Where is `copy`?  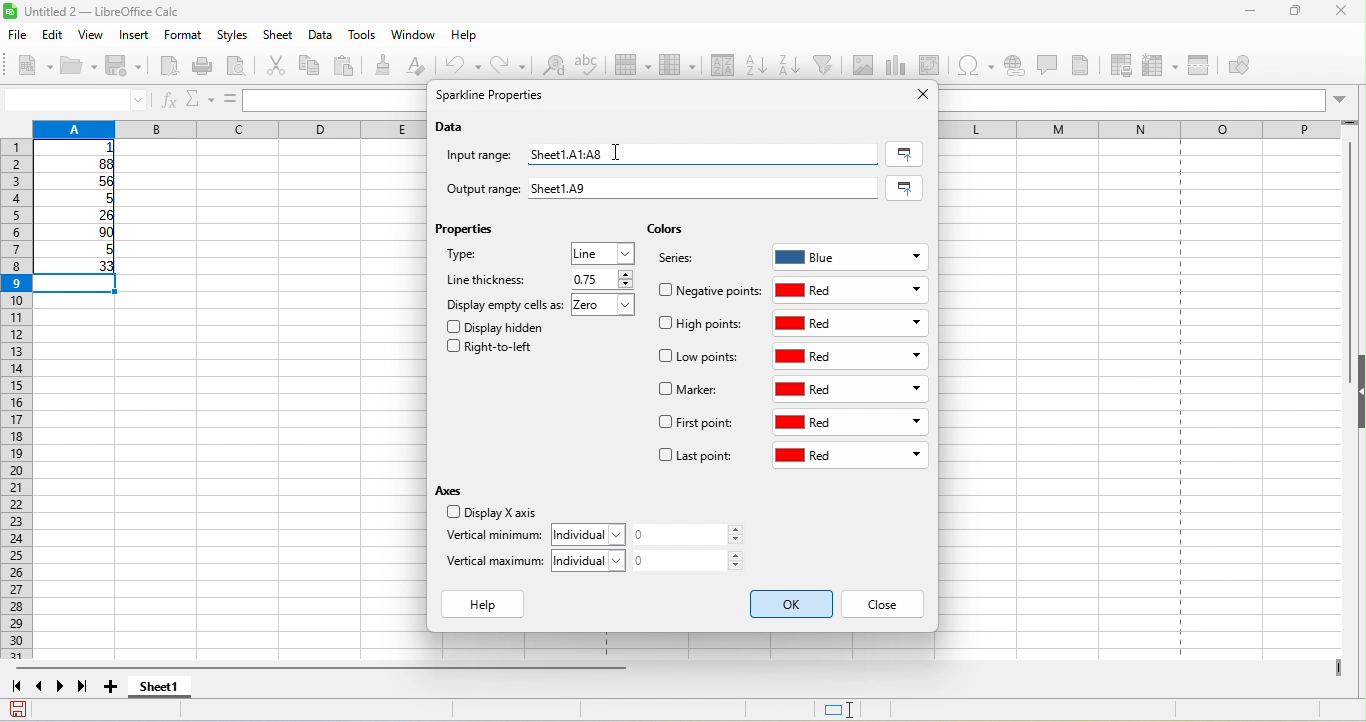
copy is located at coordinates (309, 65).